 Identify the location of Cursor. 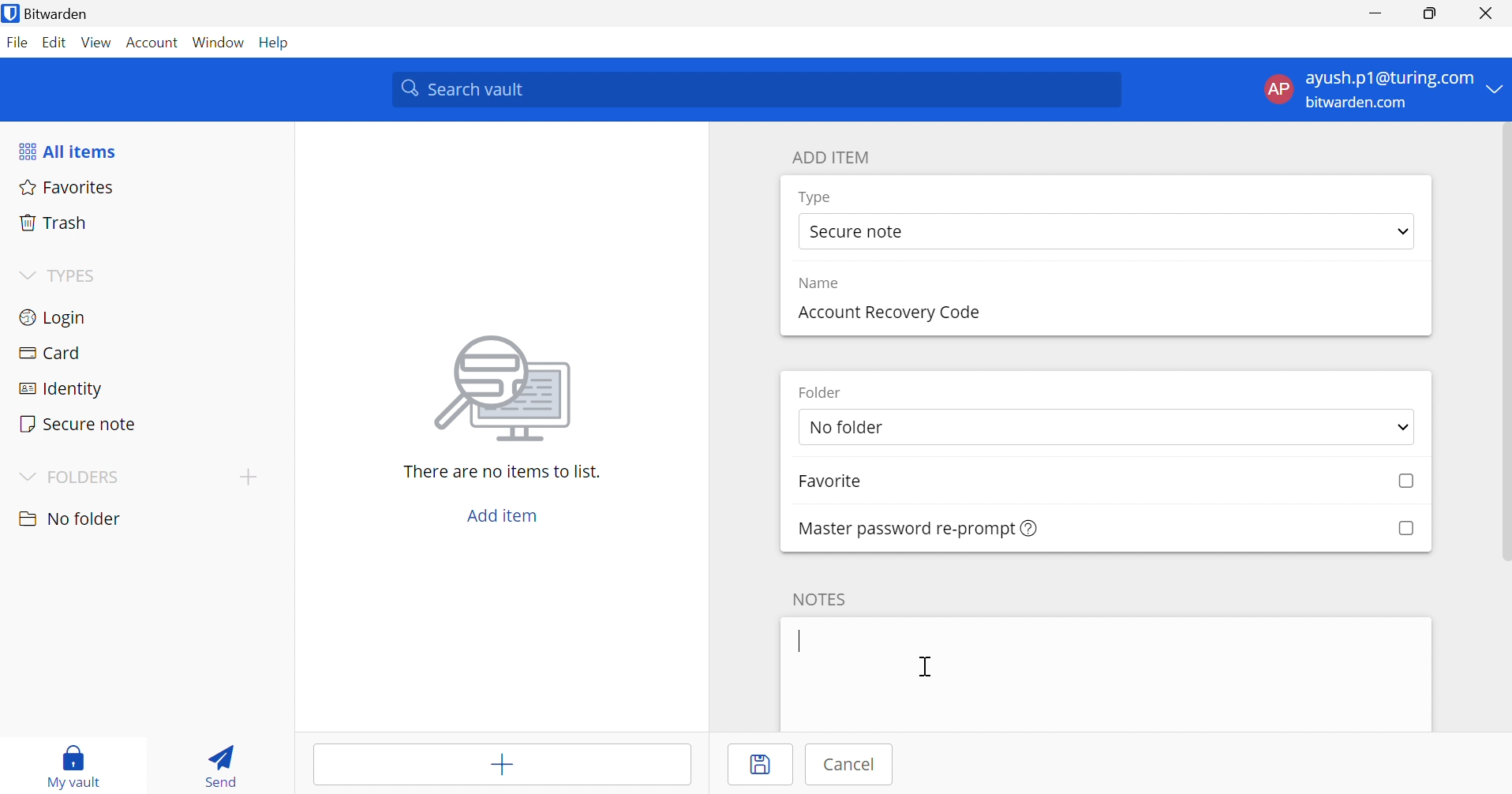
(925, 667).